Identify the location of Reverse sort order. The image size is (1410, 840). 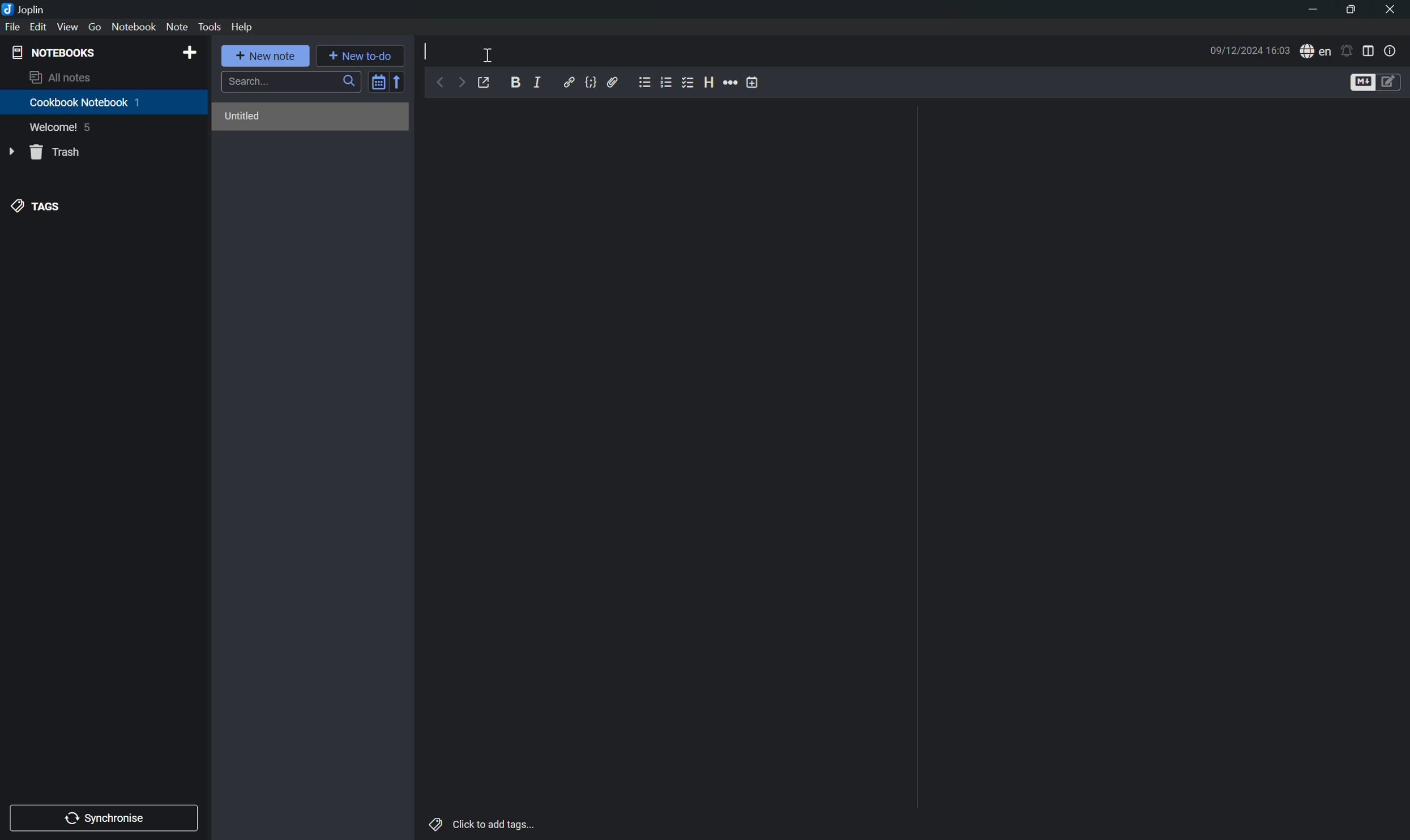
(397, 82).